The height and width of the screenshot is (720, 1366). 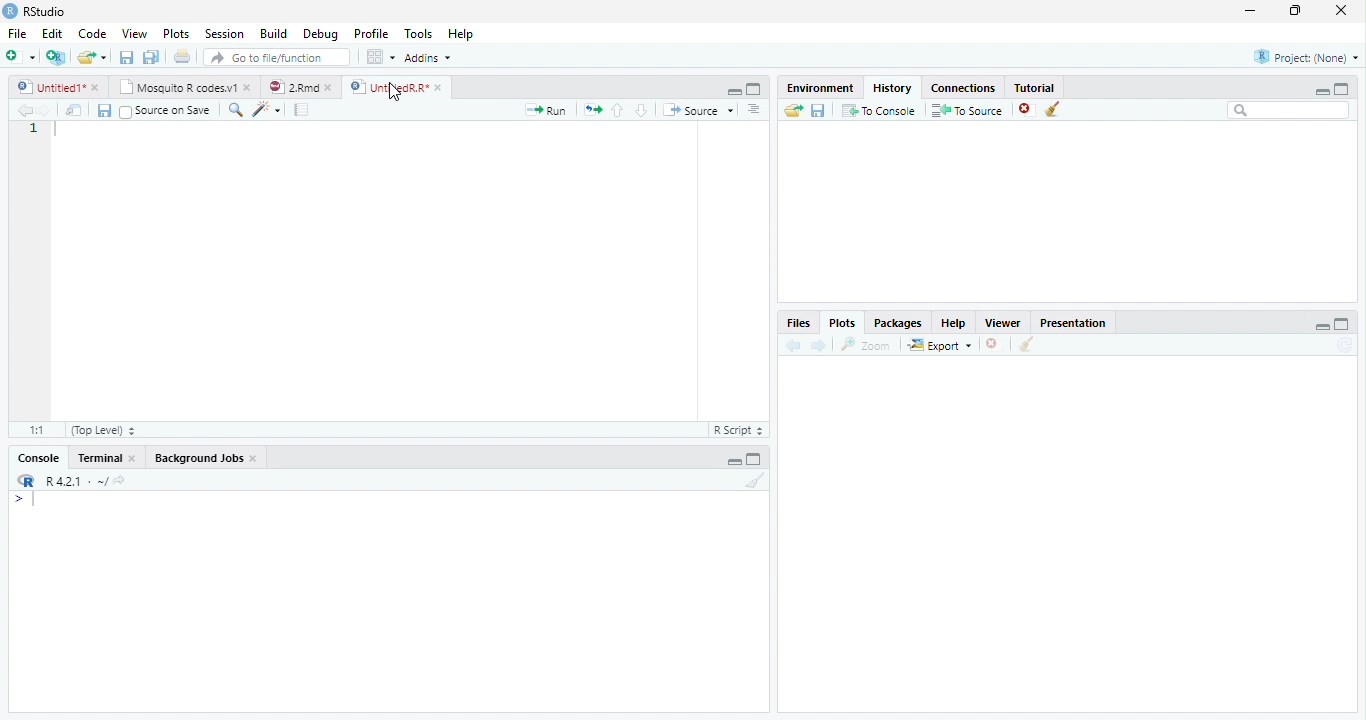 What do you see at coordinates (697, 109) in the screenshot?
I see `Source` at bounding box center [697, 109].